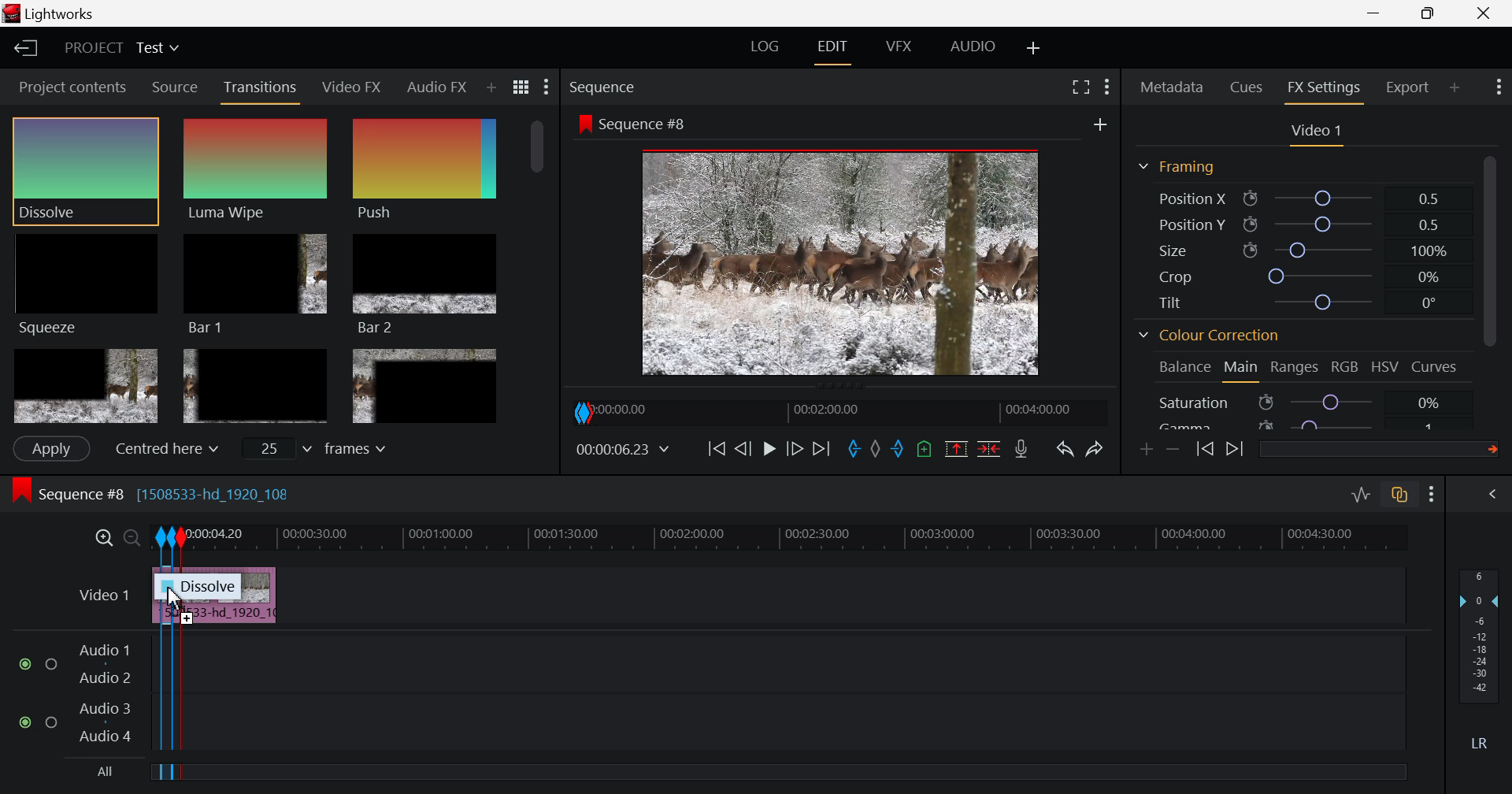 The width and height of the screenshot is (1512, 794). Describe the element at coordinates (1235, 451) in the screenshot. I see `Next keyframe` at that location.